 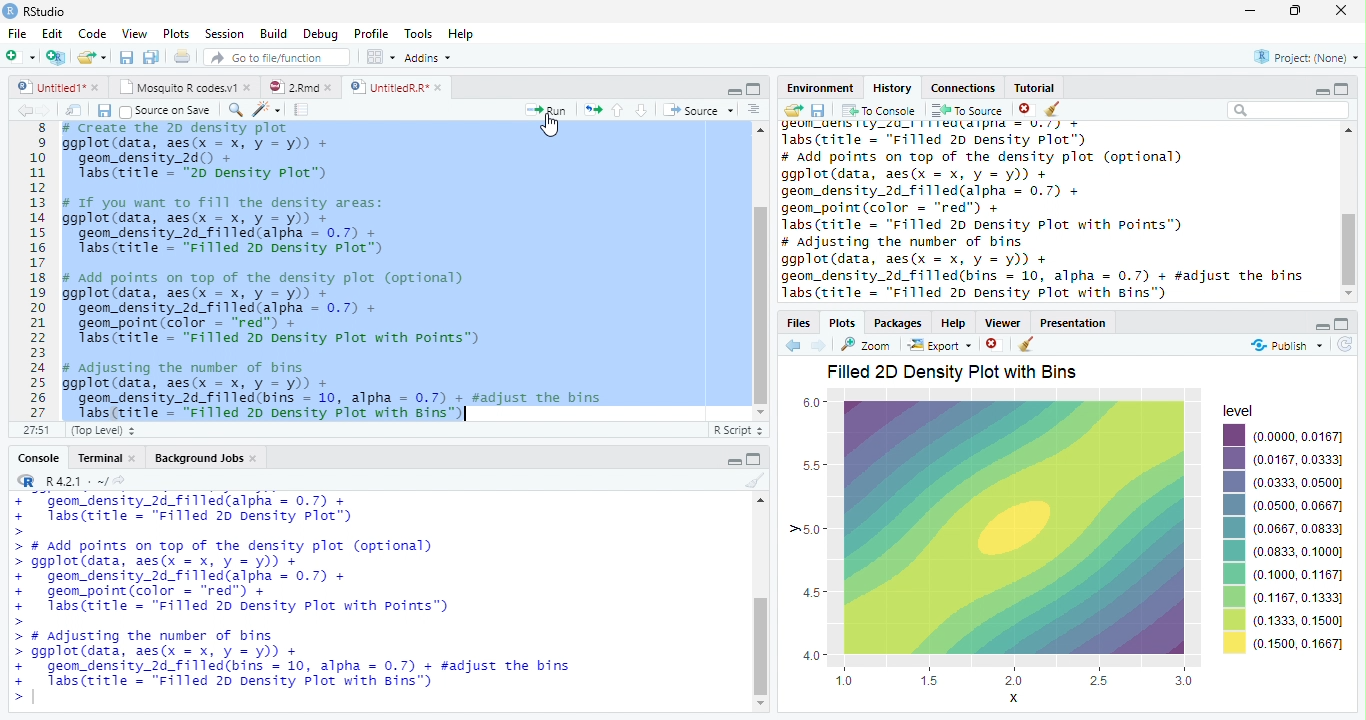 What do you see at coordinates (955, 373) in the screenshot?
I see `Filled 2D Density Plot with Bins` at bounding box center [955, 373].